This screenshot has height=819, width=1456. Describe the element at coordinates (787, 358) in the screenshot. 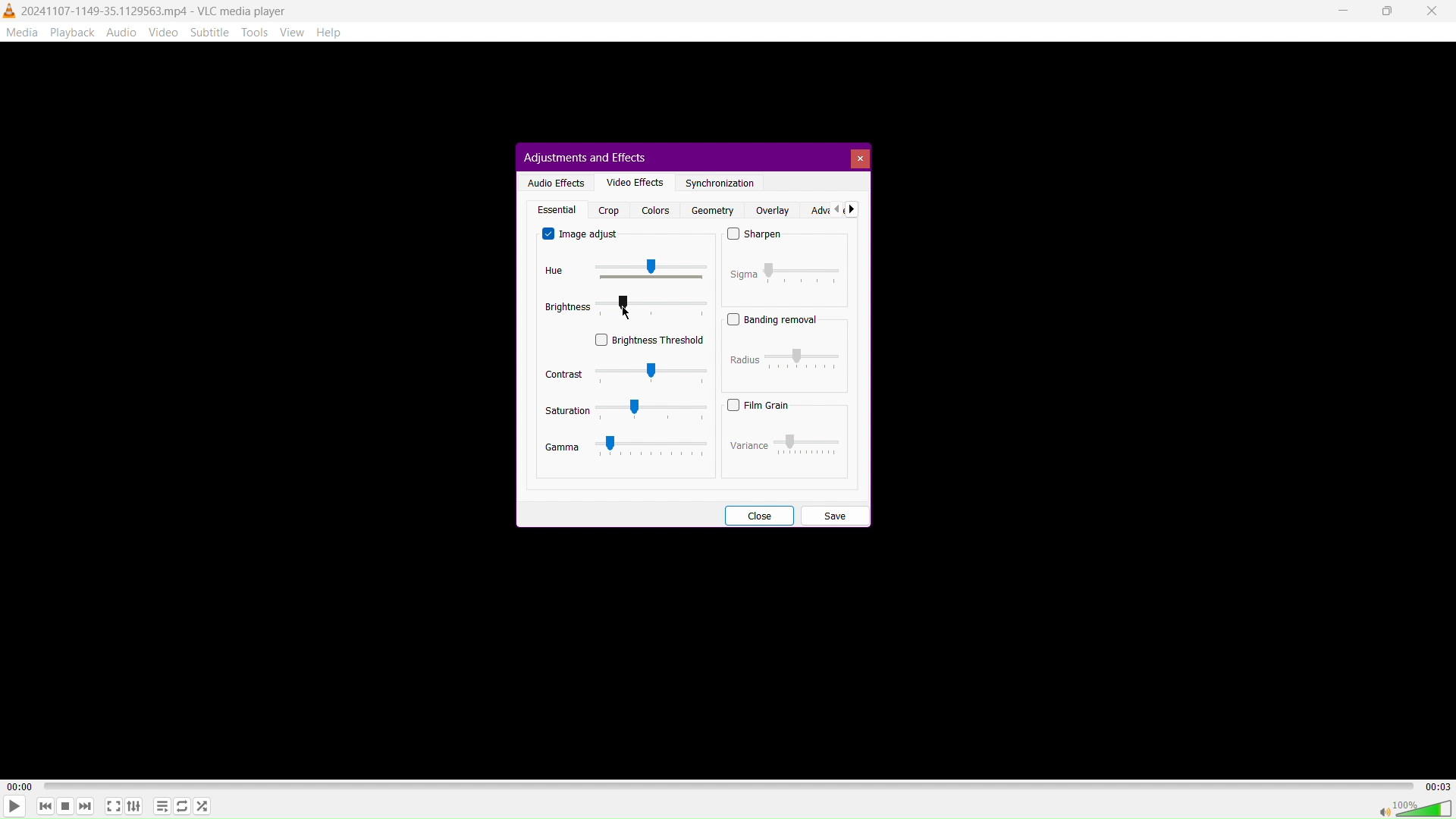

I see `Radius` at that location.